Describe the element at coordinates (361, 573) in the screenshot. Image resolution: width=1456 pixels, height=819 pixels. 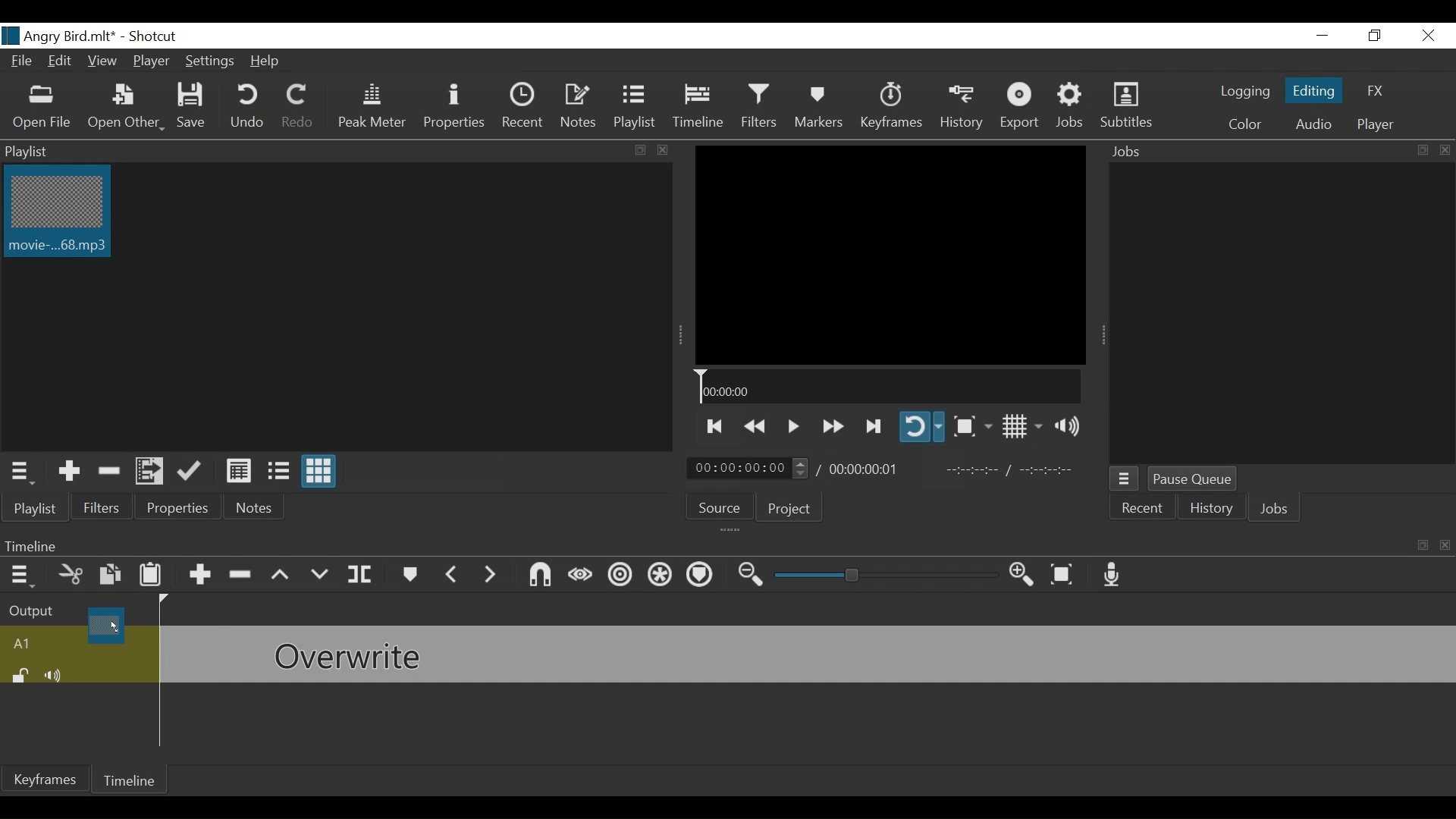
I see `Split at playhead` at that location.